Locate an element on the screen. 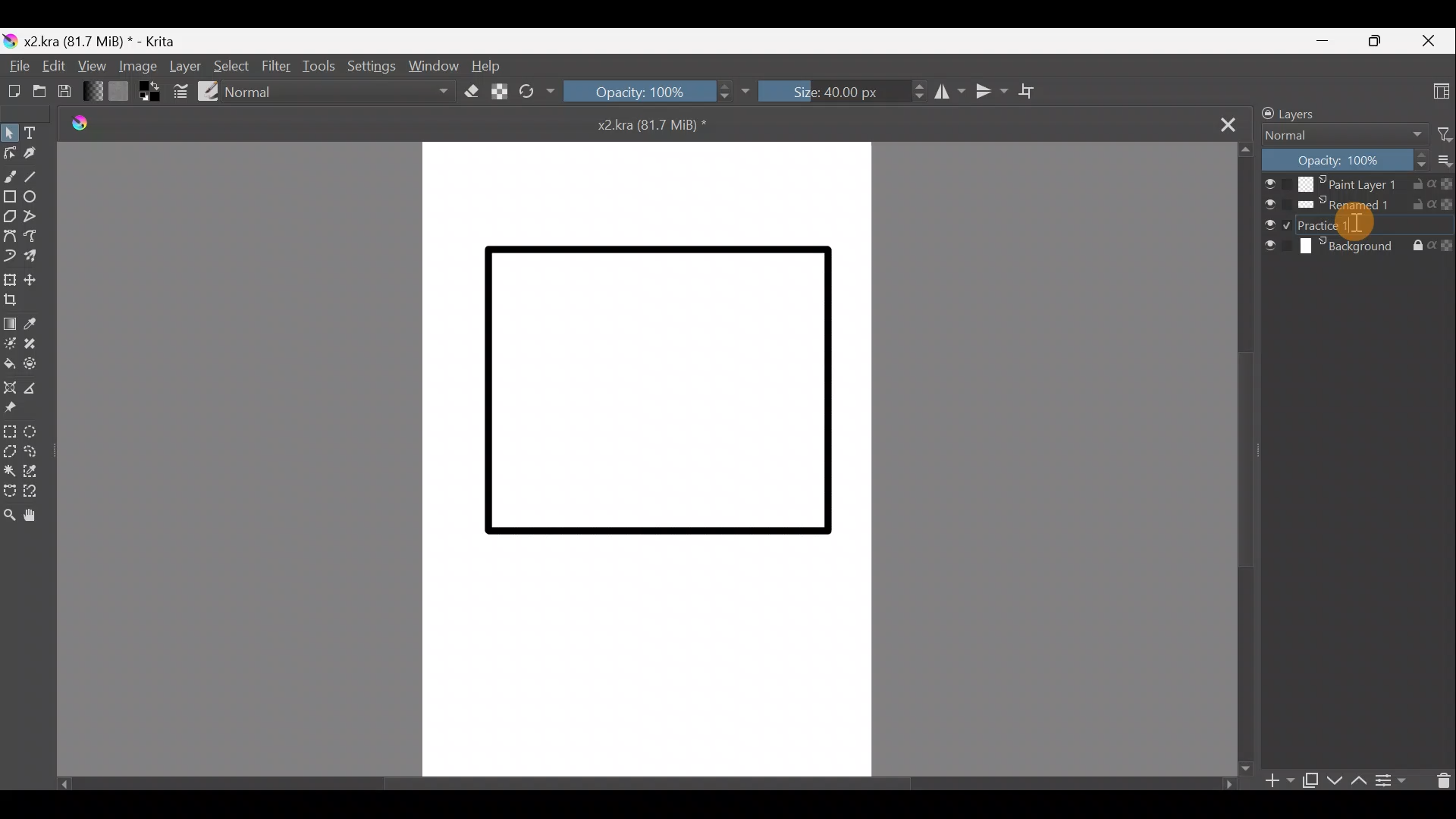  Move layer/mask up is located at coordinates (1362, 779).